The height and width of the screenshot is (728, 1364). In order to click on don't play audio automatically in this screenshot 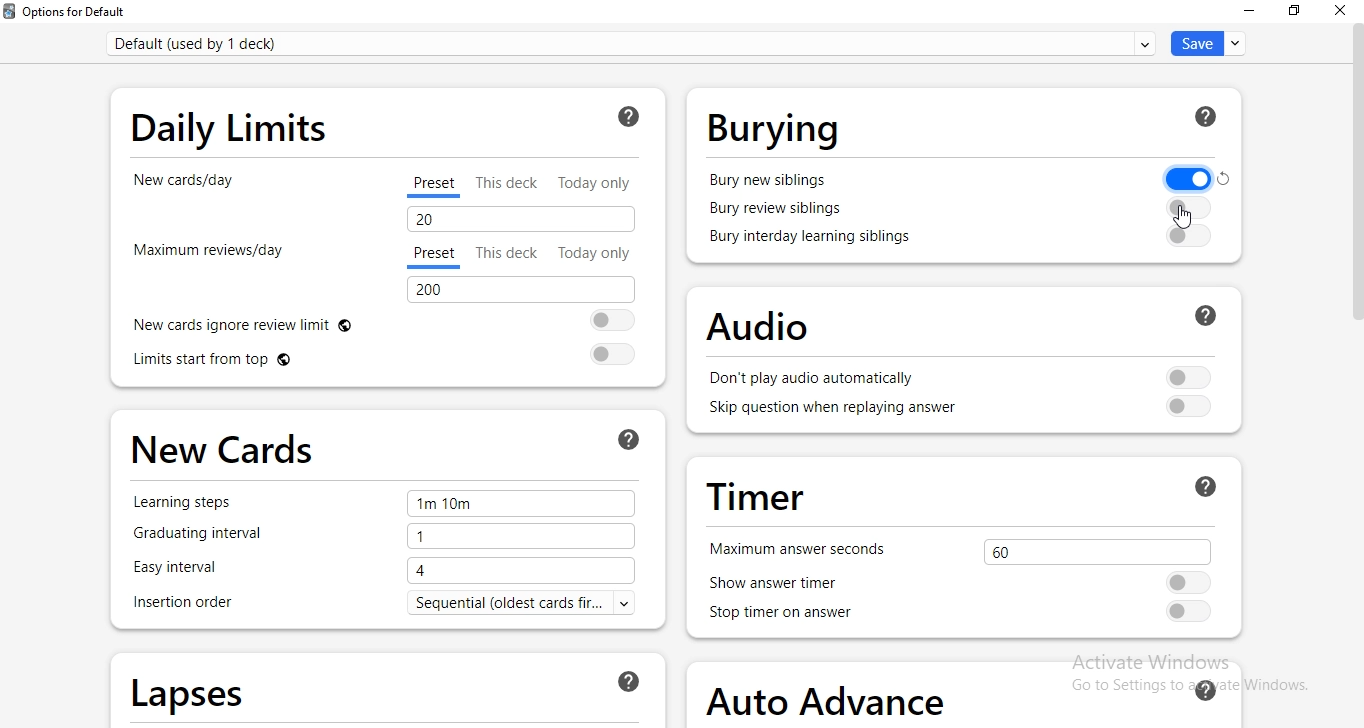, I will do `click(814, 379)`.